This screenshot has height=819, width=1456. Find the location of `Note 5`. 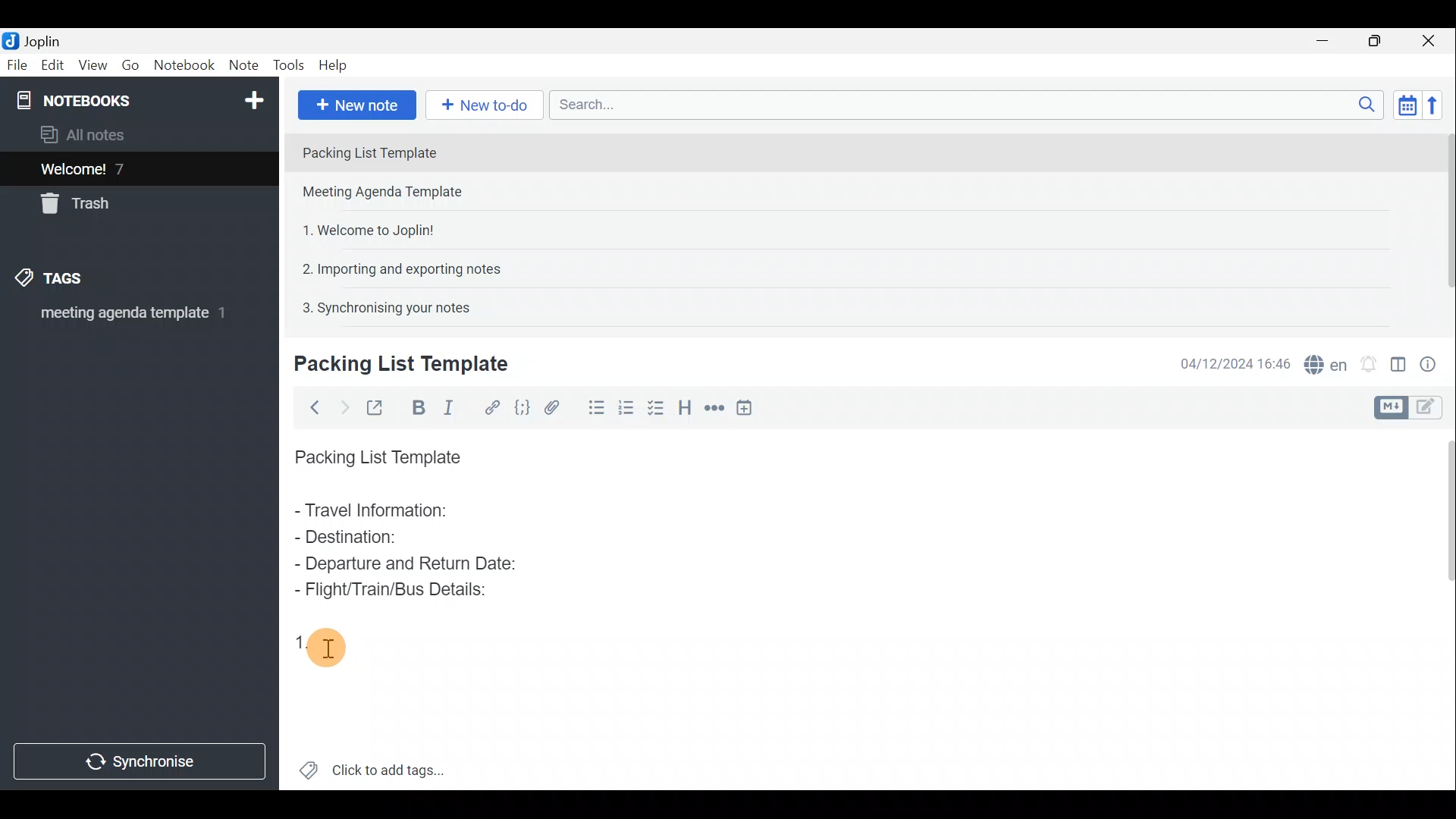

Note 5 is located at coordinates (380, 306).